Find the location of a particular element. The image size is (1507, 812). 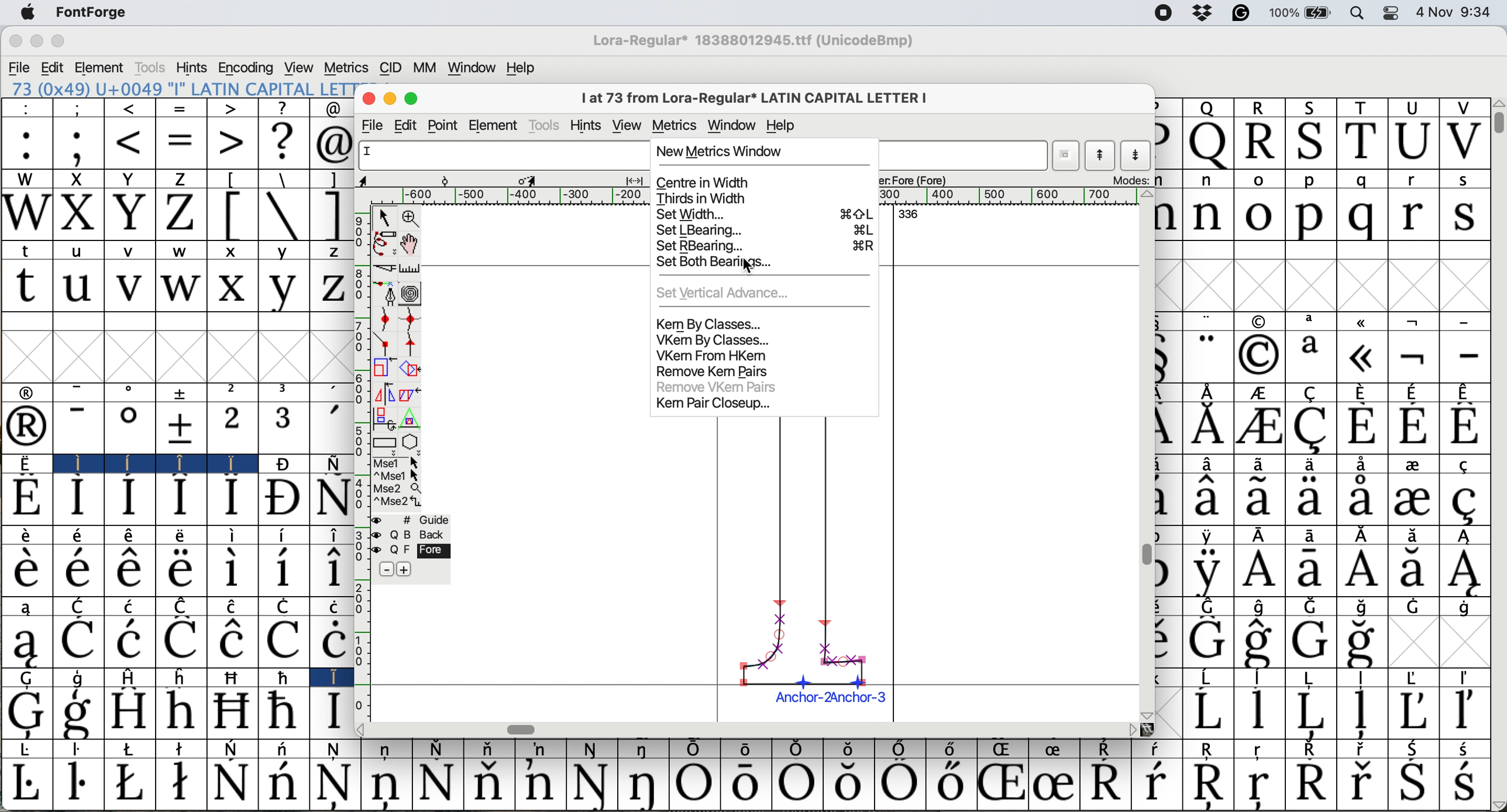

a is located at coordinates (27, 605).